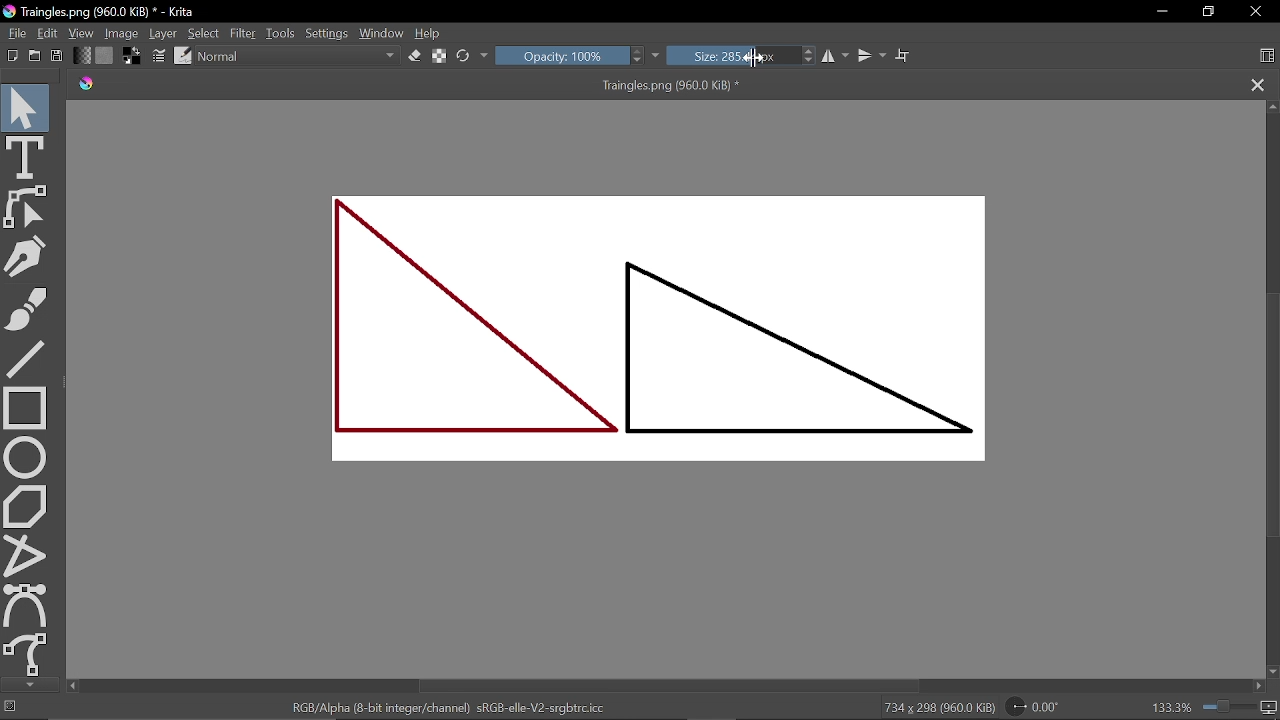  I want to click on Vertical mirror tool, so click(873, 57).